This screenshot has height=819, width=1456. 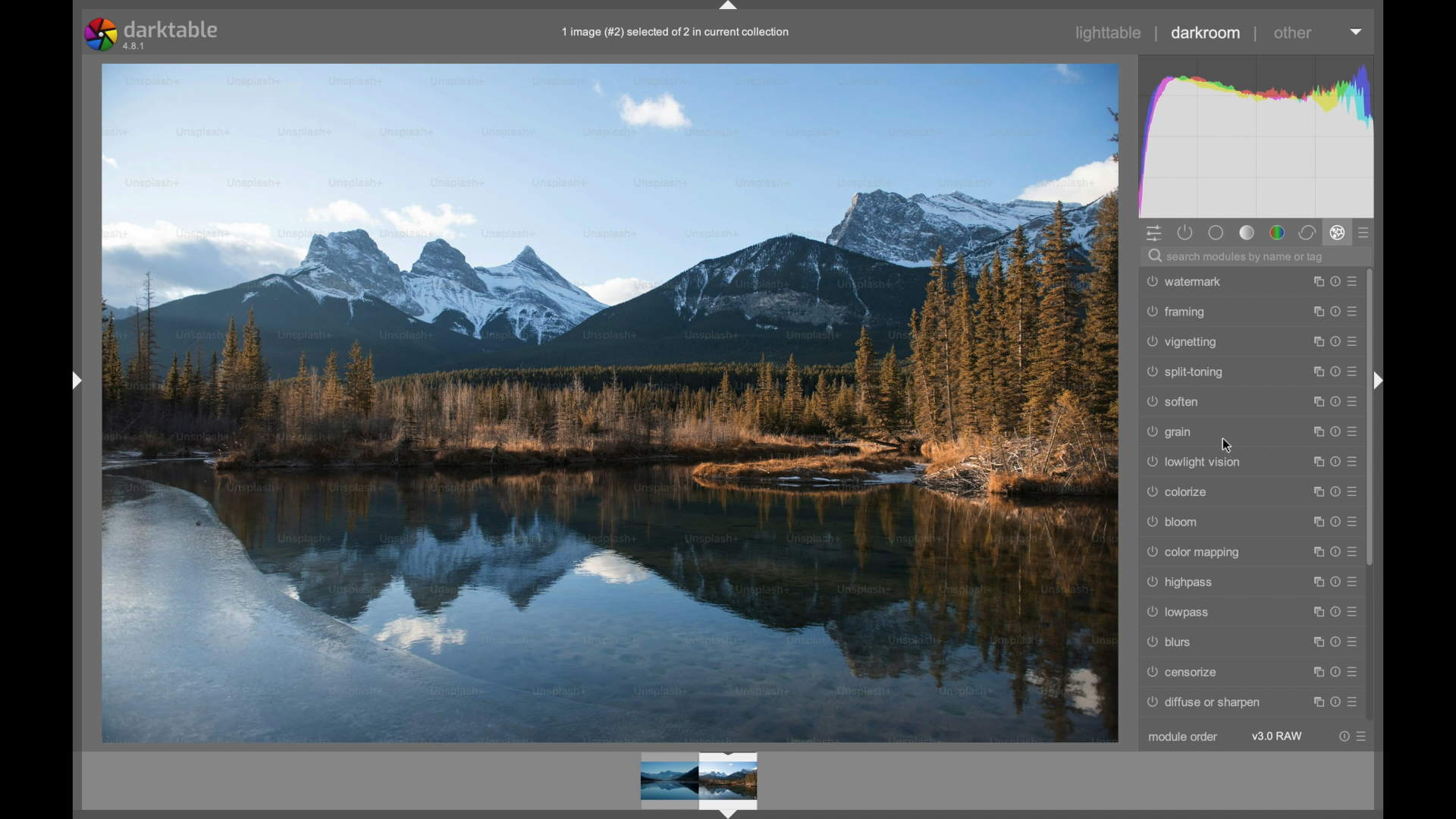 I want to click on lowlight vision, so click(x=1194, y=461).